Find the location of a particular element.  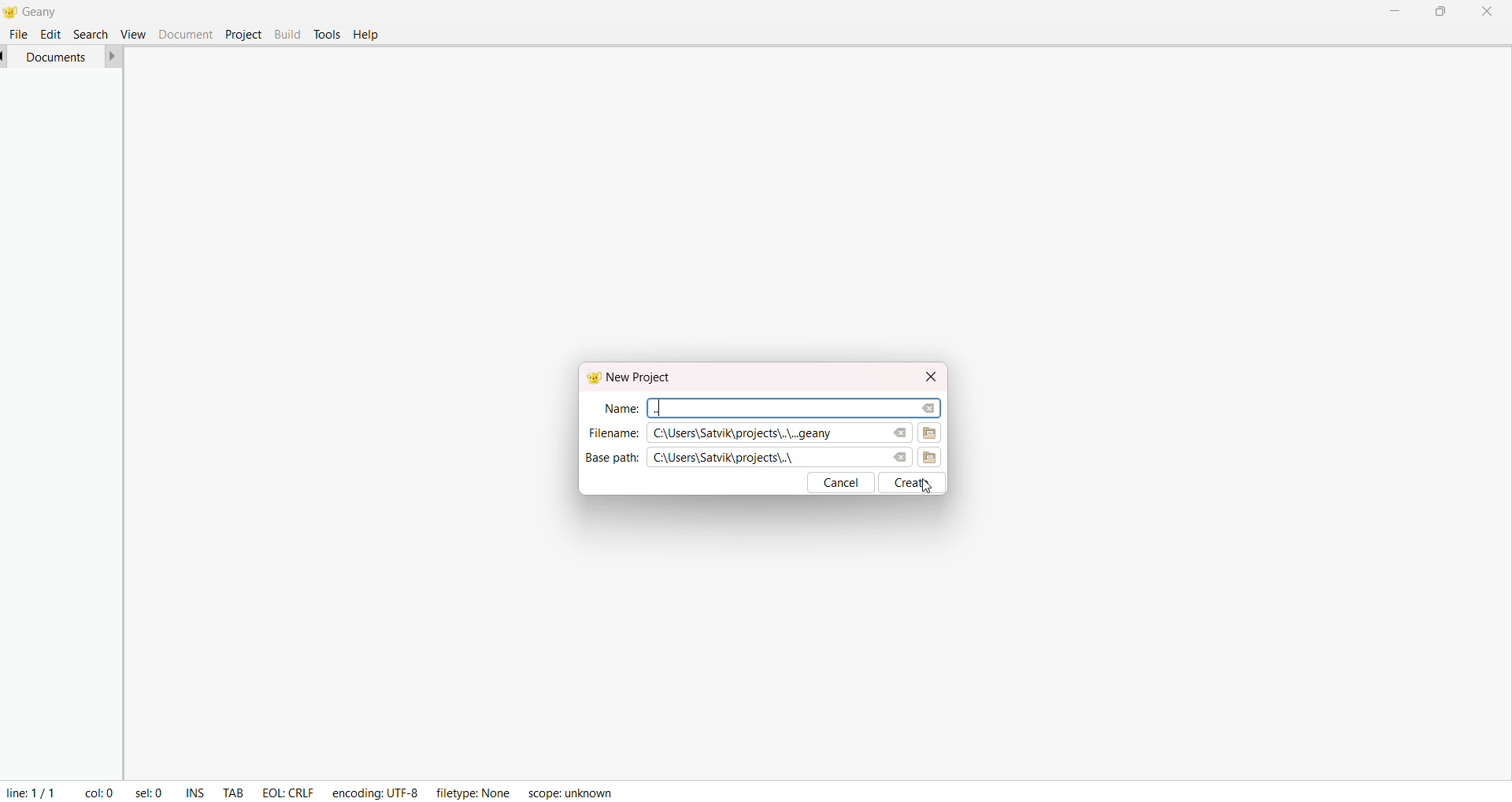

col: 0 is located at coordinates (99, 793).